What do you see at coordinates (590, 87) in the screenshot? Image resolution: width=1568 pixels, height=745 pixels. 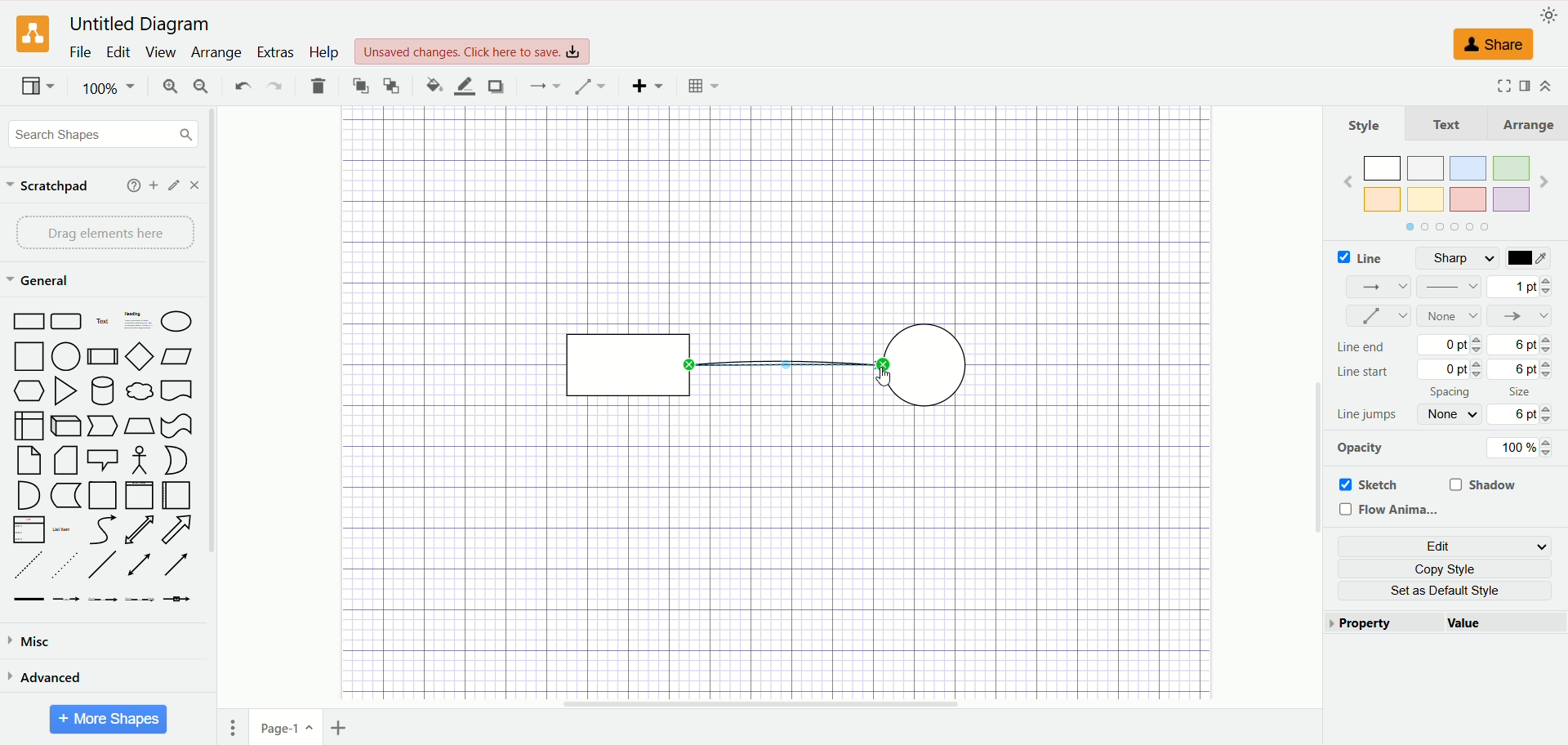 I see `waypoint` at bounding box center [590, 87].